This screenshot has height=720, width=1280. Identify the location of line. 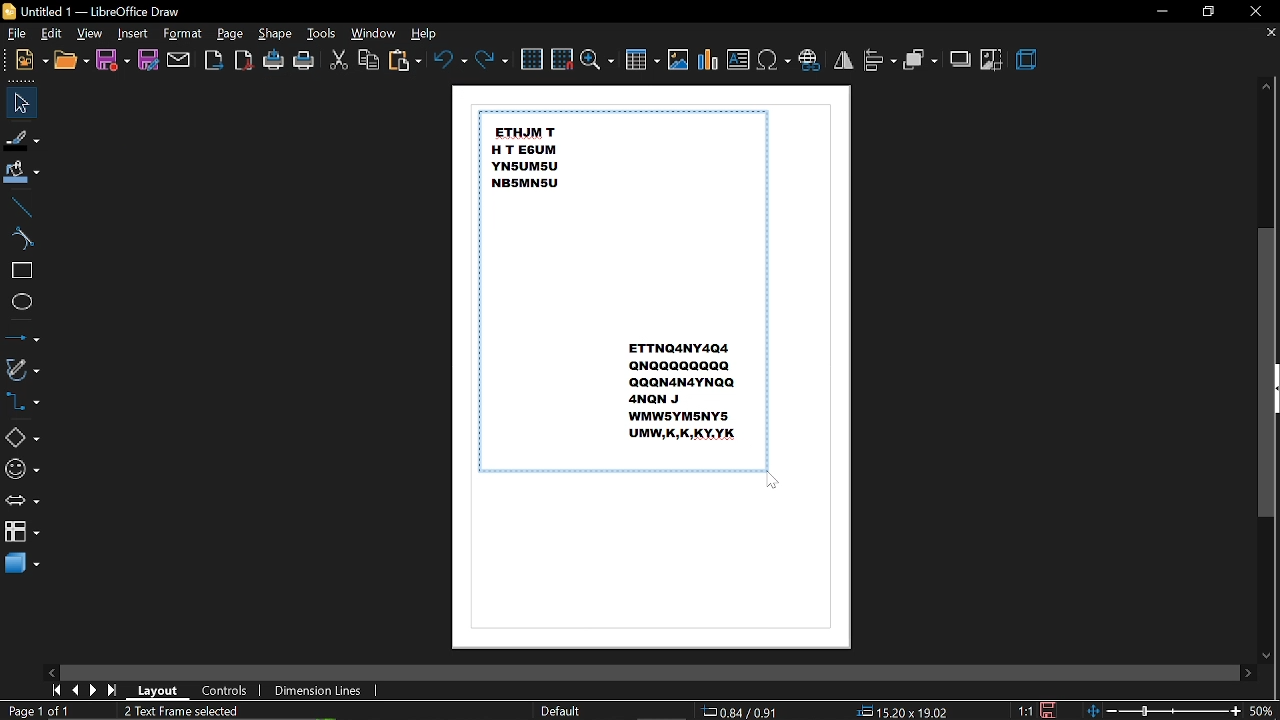
(21, 205).